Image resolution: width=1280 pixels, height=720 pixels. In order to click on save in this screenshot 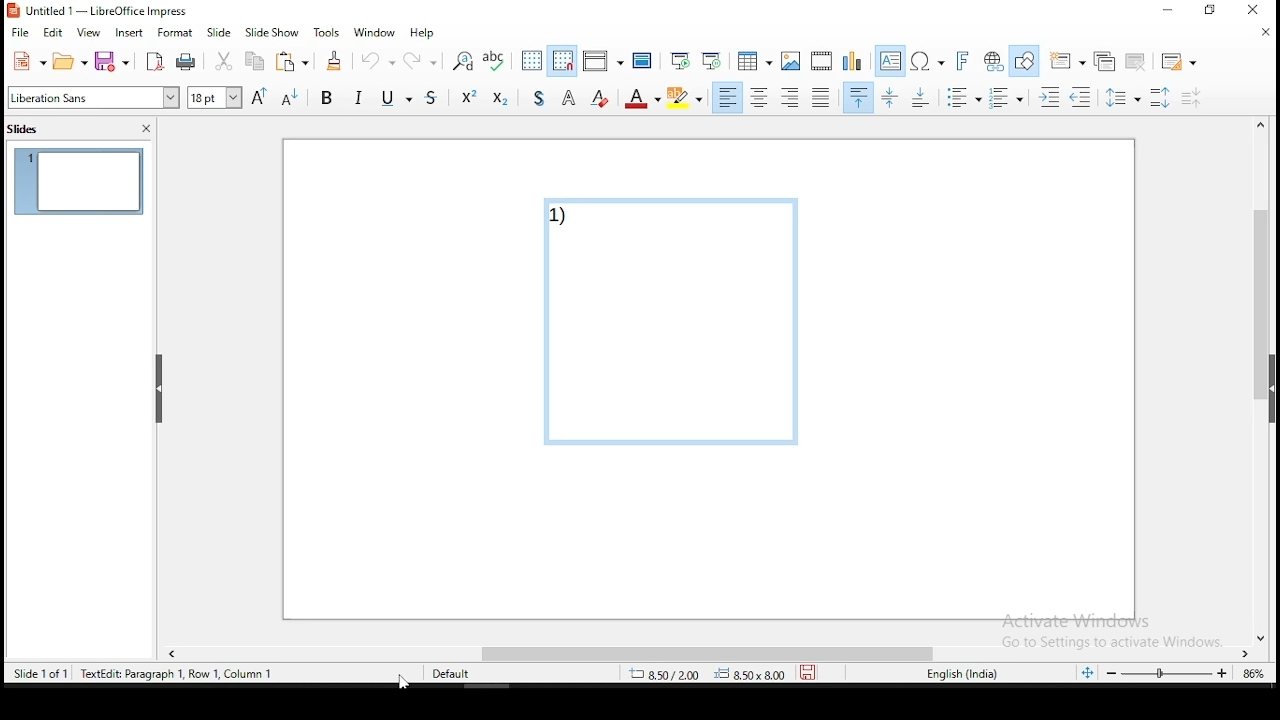, I will do `click(807, 671)`.